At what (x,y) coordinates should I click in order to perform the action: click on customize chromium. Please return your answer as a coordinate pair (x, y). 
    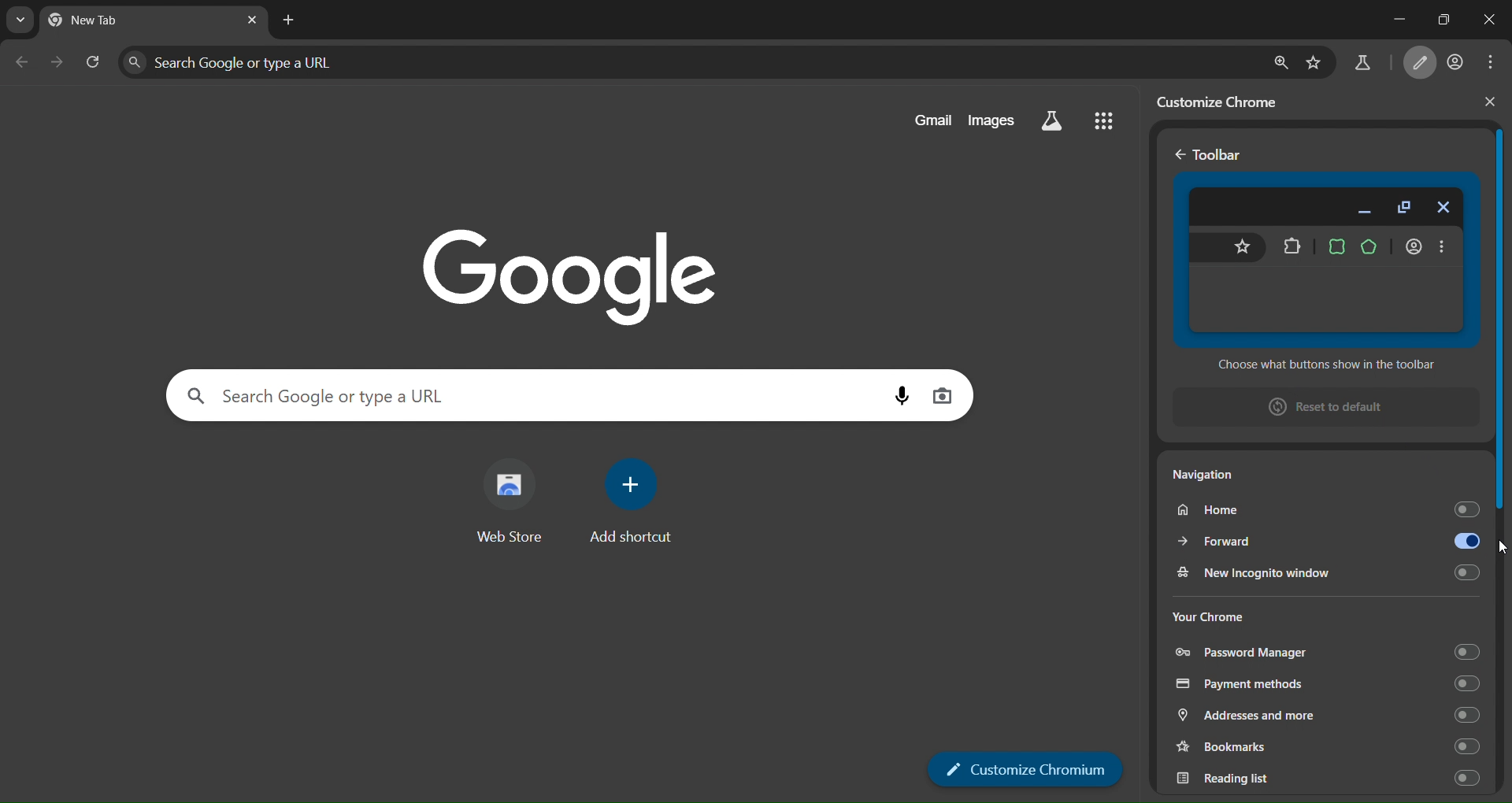
    Looking at the image, I should click on (1026, 769).